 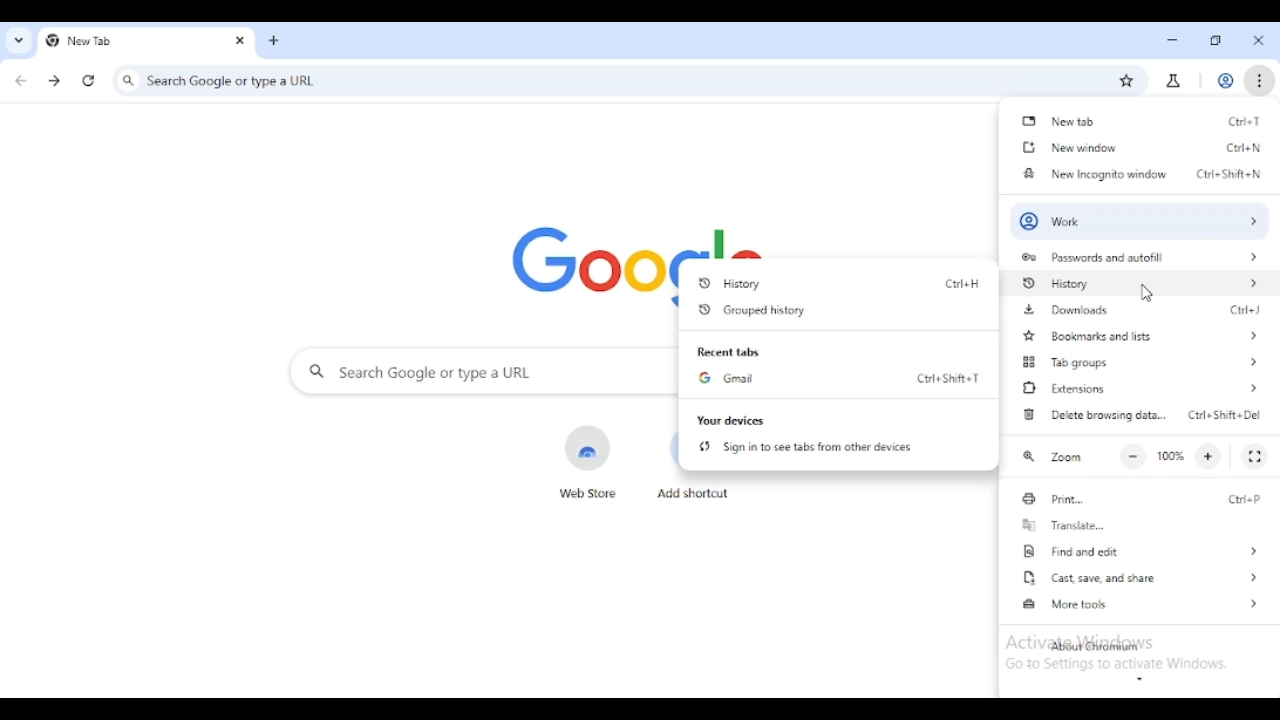 I want to click on click to go forward, so click(x=54, y=81).